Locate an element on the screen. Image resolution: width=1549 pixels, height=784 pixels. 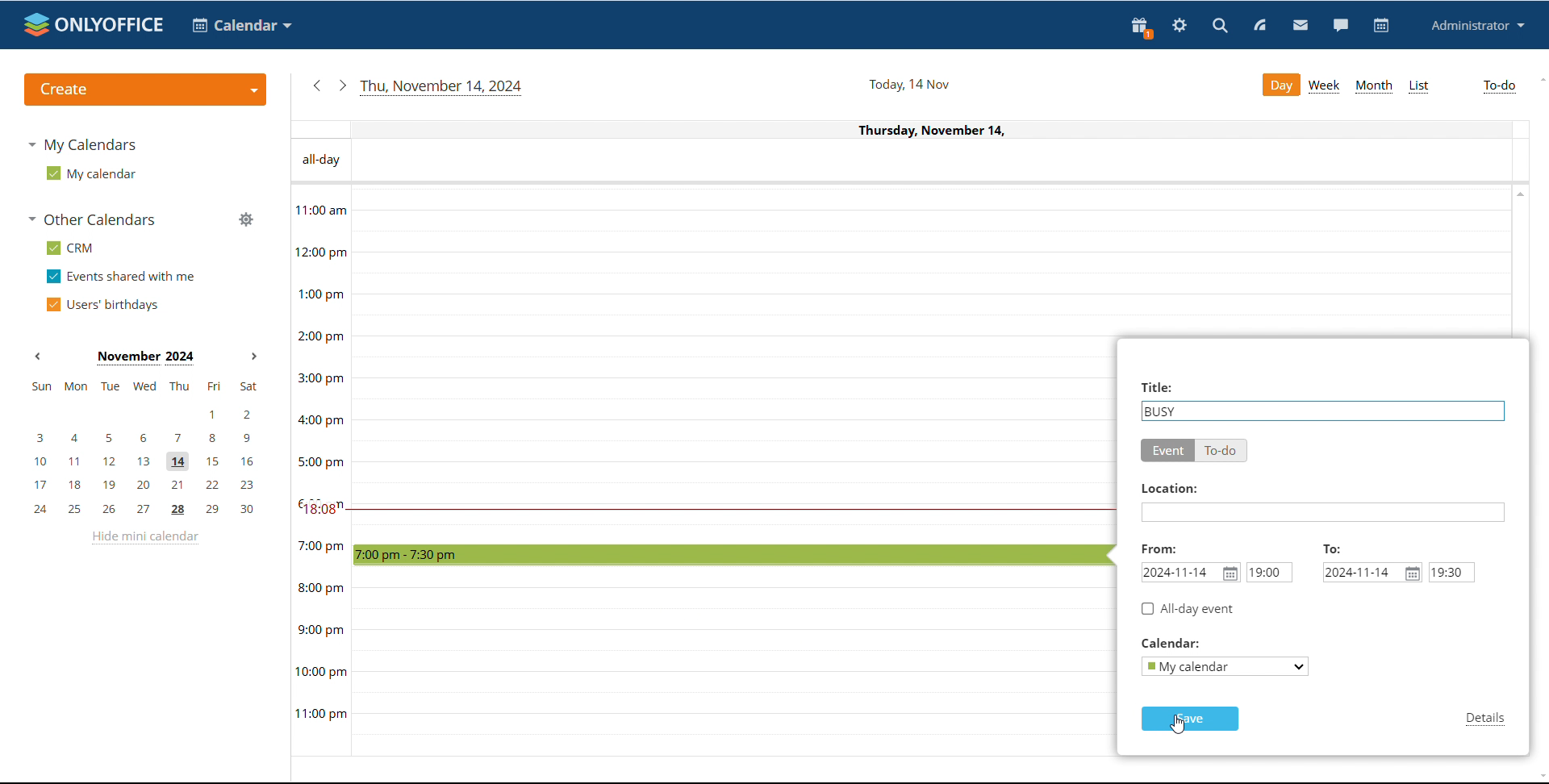
Current date is located at coordinates (909, 130).